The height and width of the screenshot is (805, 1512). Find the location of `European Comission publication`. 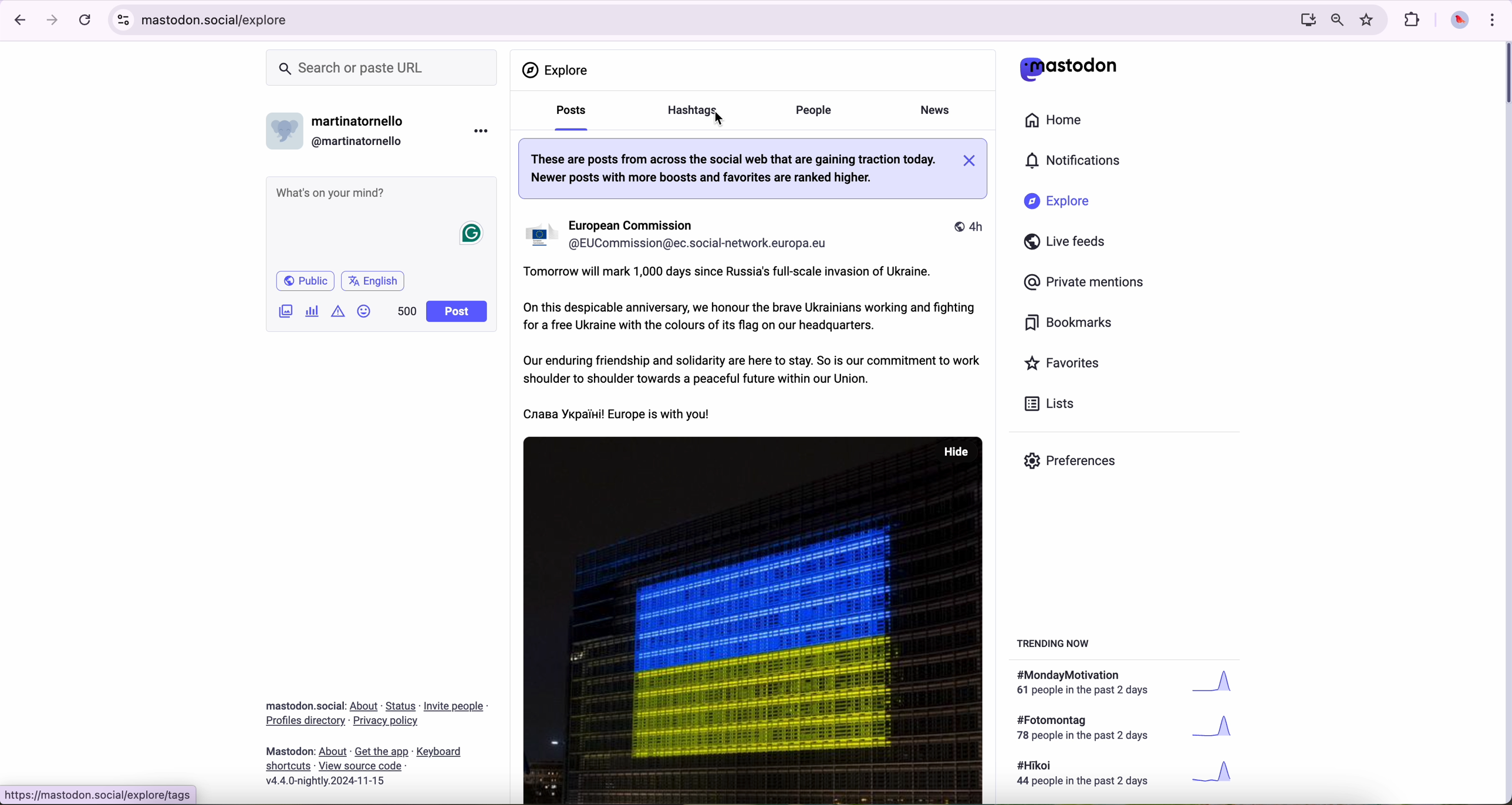

European Comission publication is located at coordinates (755, 345).